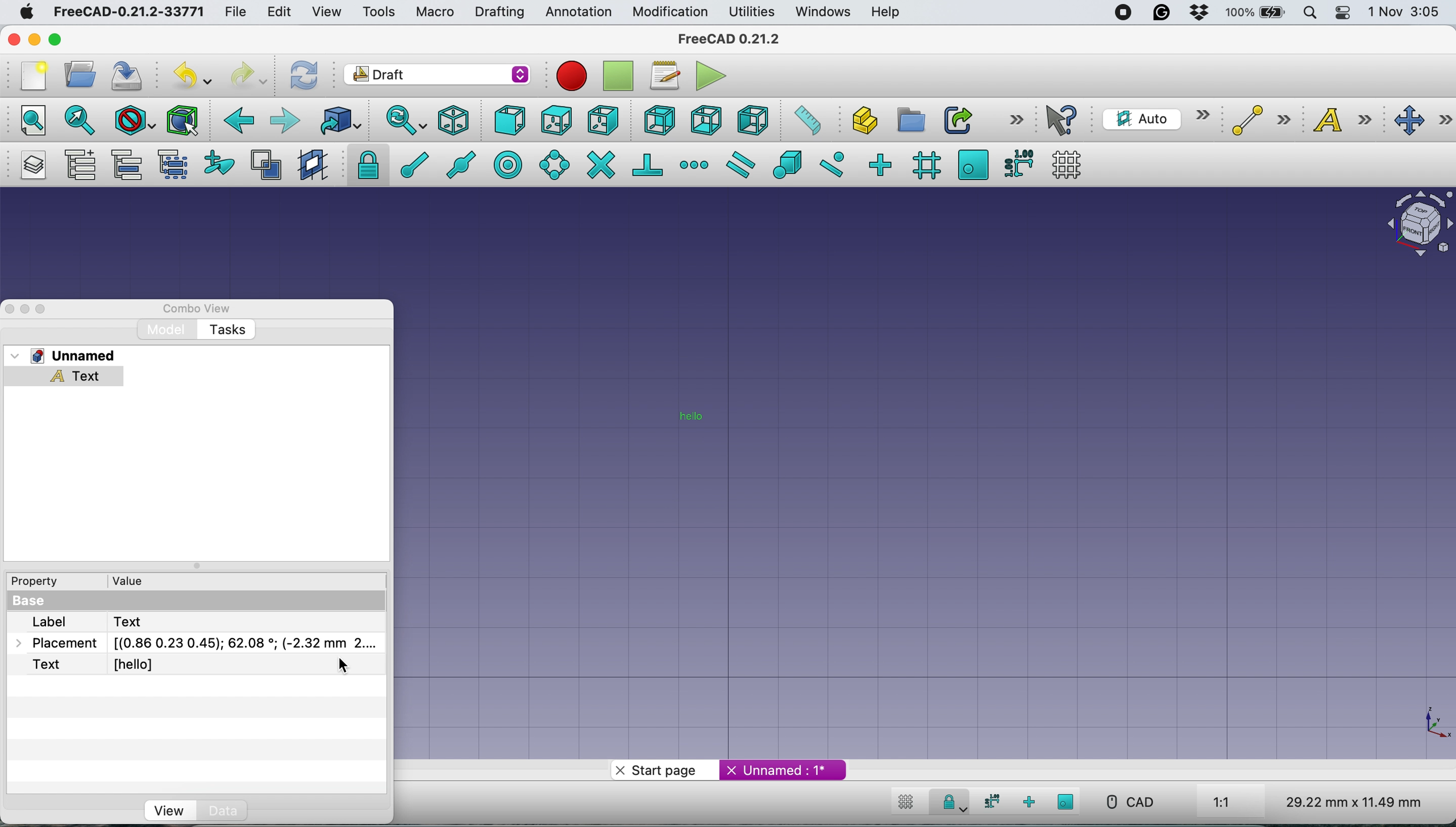 The image size is (1456, 827). Describe the element at coordinates (671, 12) in the screenshot. I see `modification` at that location.